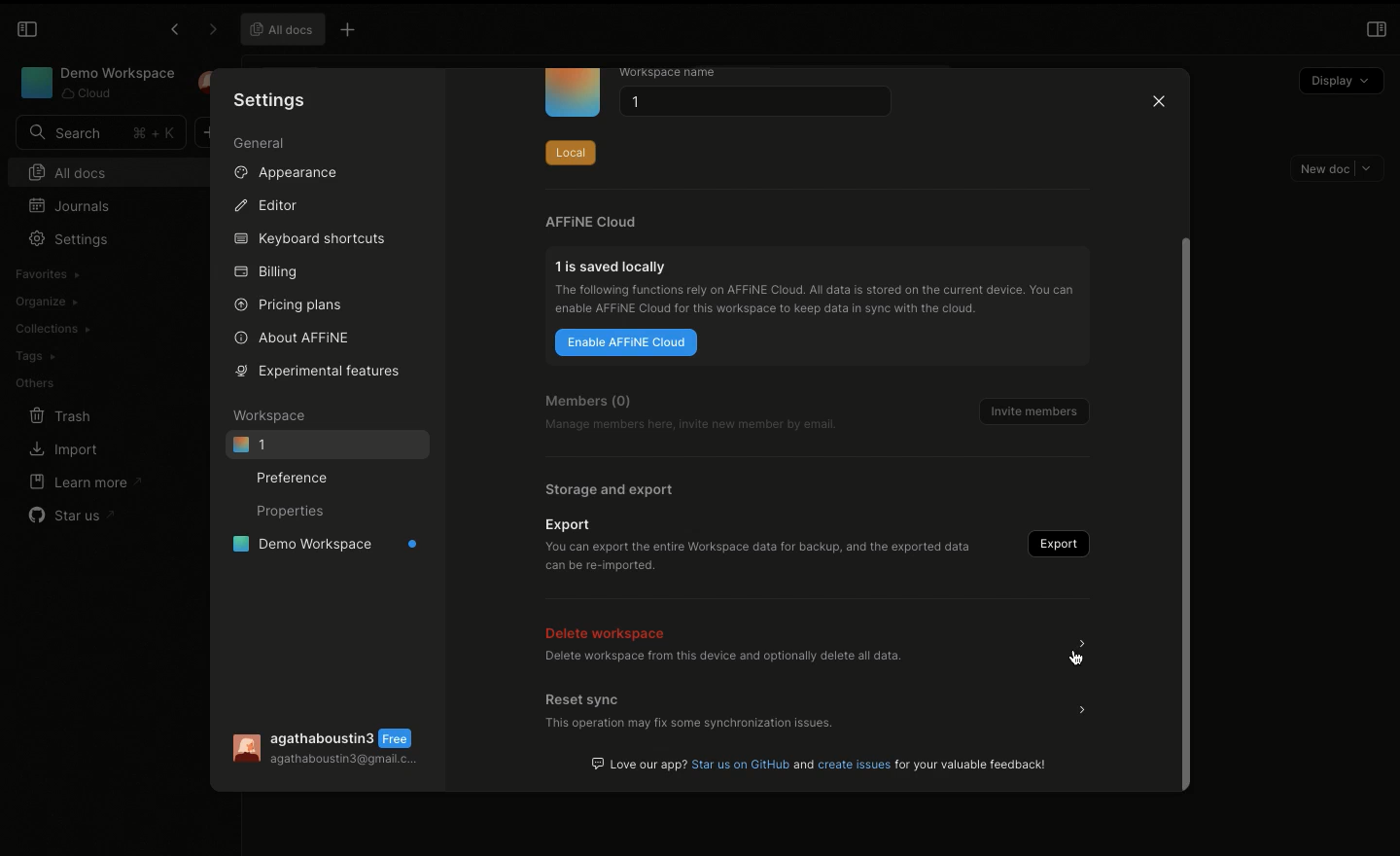 The image size is (1400, 856). I want to click on Others, so click(34, 381).